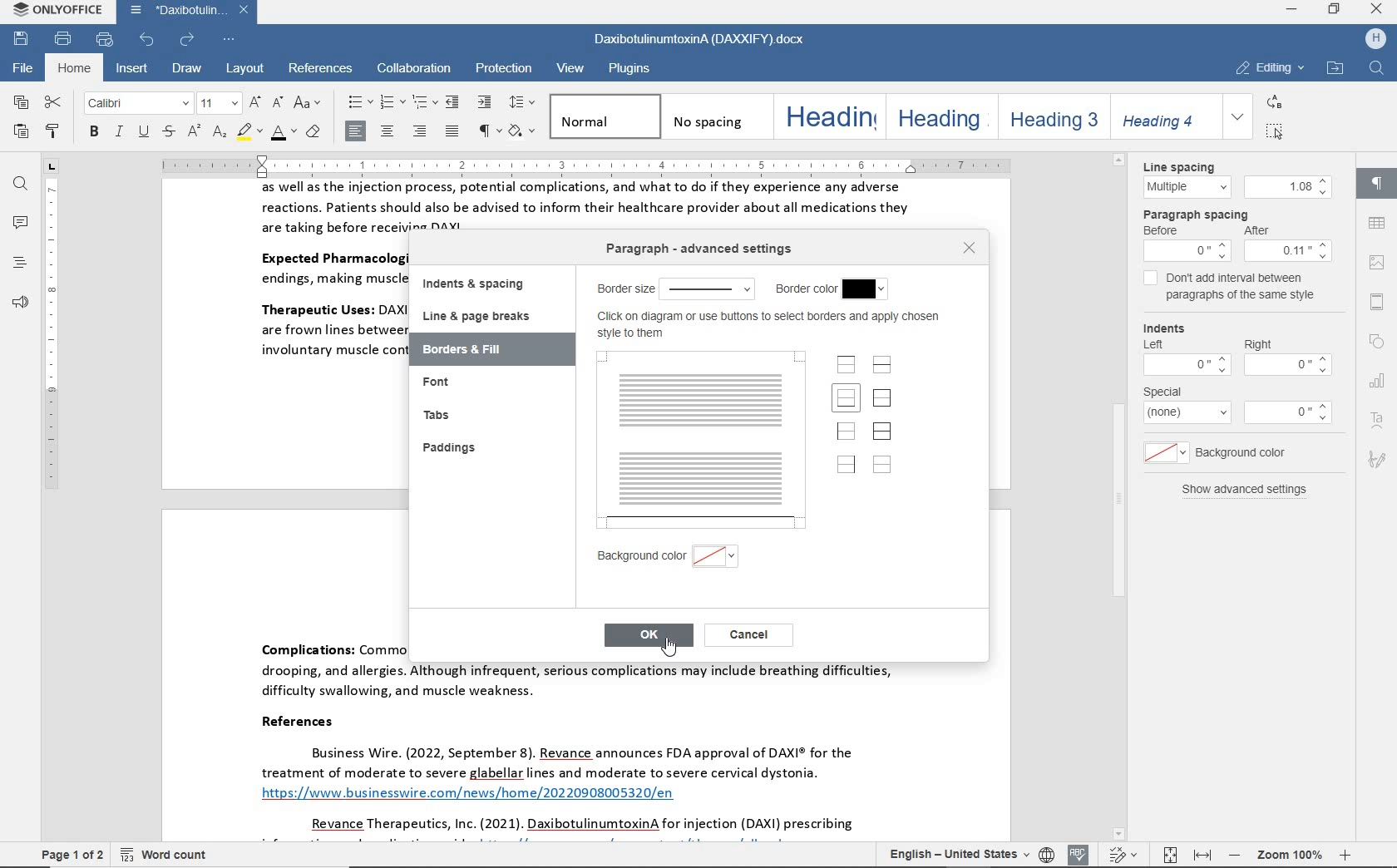  Describe the element at coordinates (1237, 234) in the screenshot. I see `paragraph spacing` at that location.